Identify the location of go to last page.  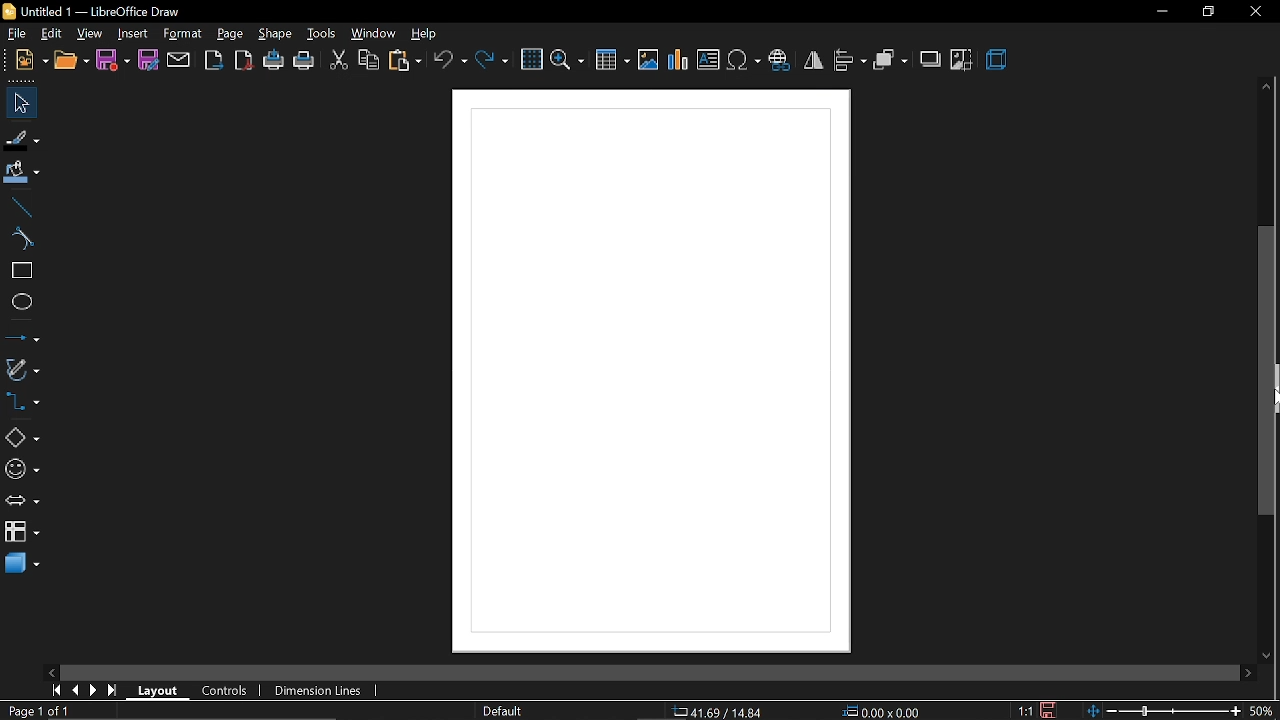
(110, 693).